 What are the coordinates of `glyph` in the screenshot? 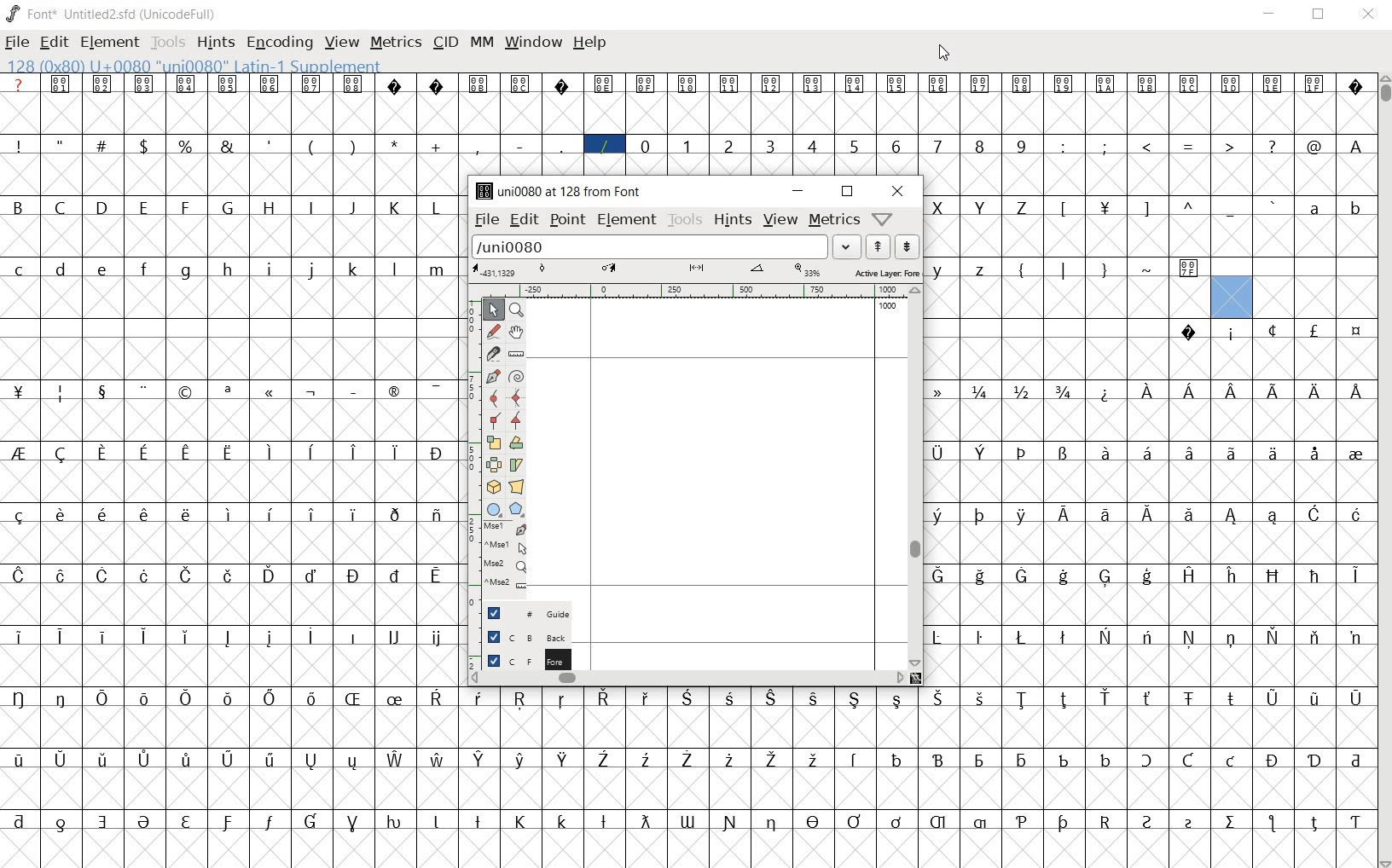 It's located at (270, 822).